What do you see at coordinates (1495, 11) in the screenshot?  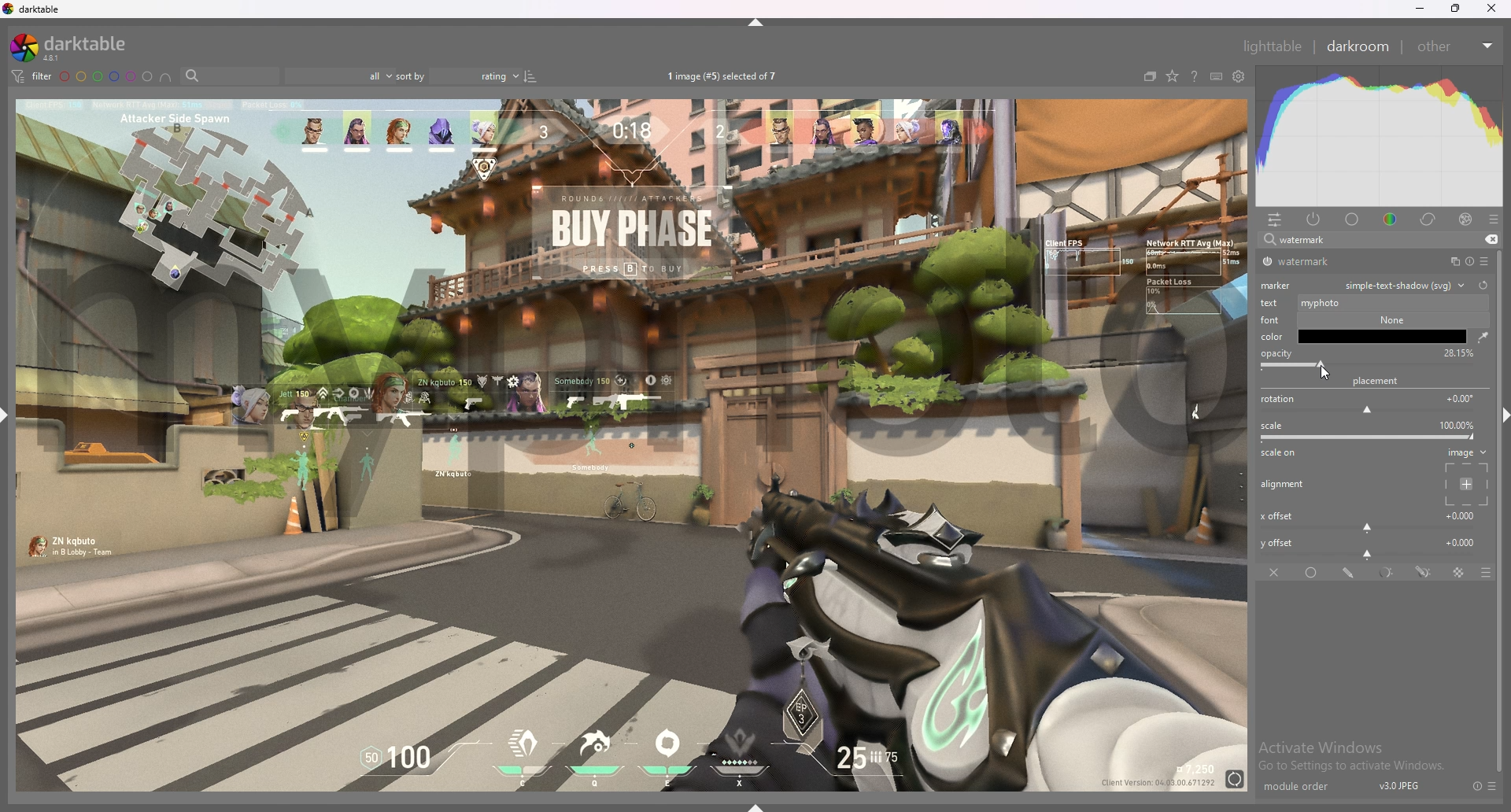 I see `Close` at bounding box center [1495, 11].